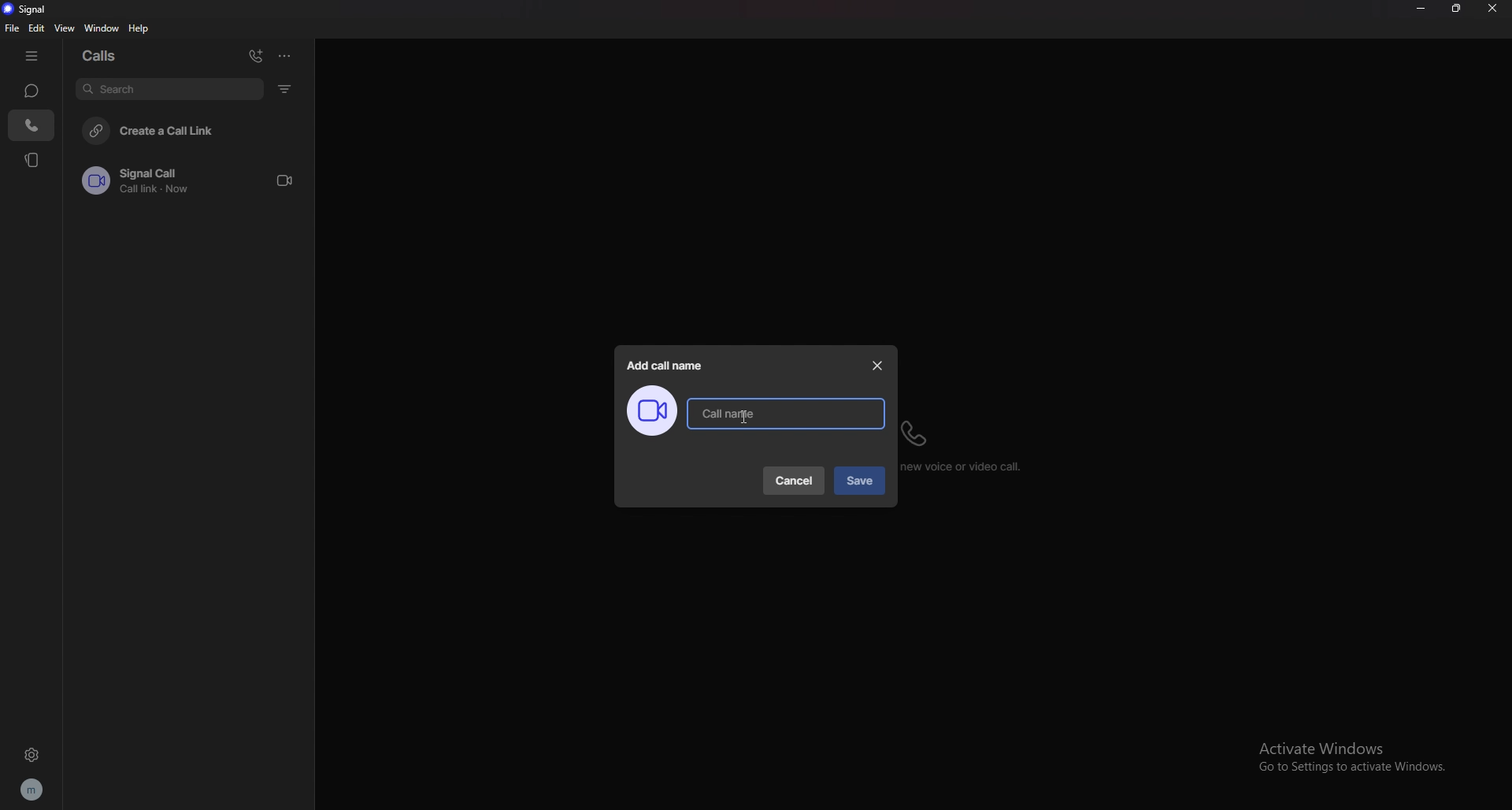  I want to click on chats, so click(31, 90).